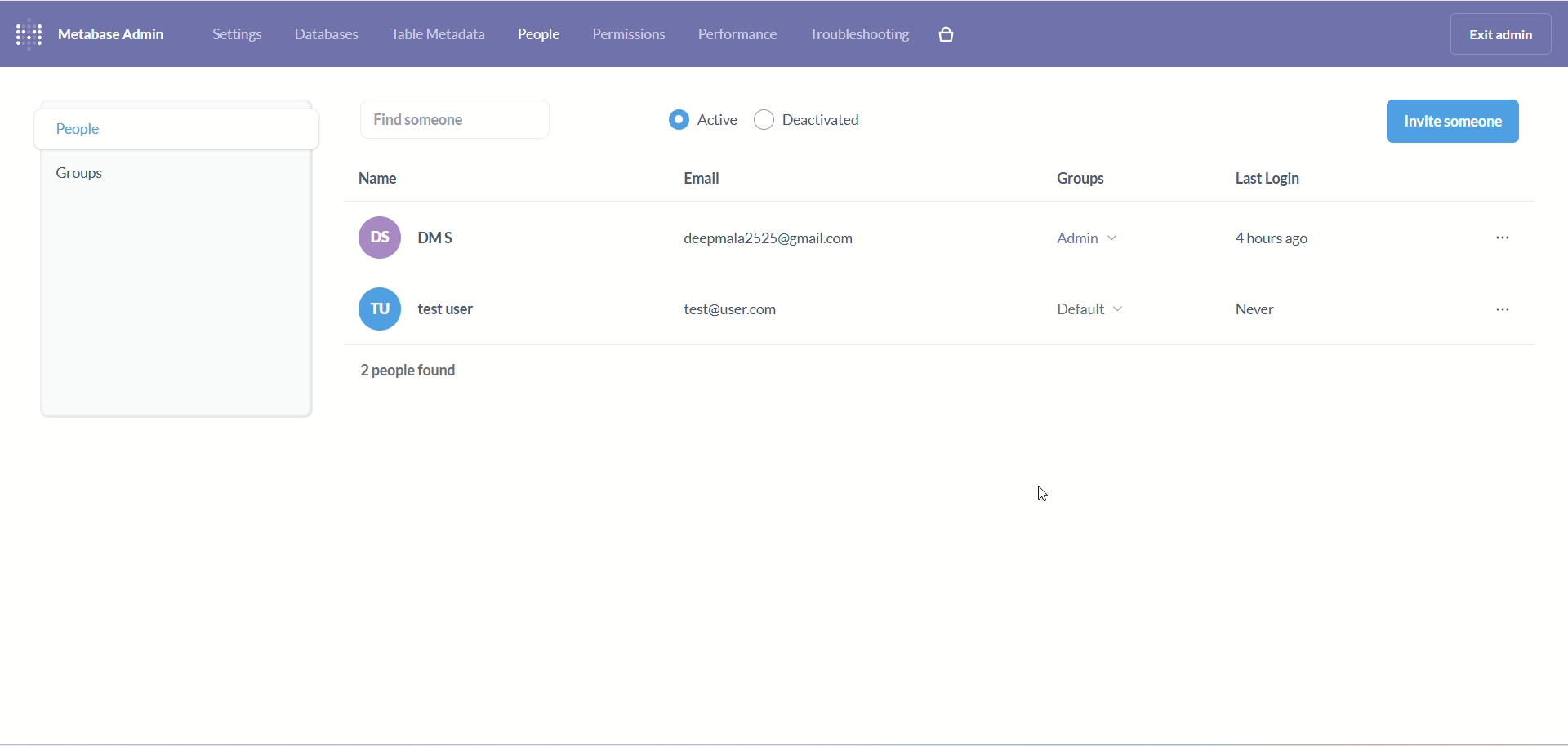 This screenshot has width=1568, height=746. What do you see at coordinates (29, 33) in the screenshot?
I see `logo` at bounding box center [29, 33].